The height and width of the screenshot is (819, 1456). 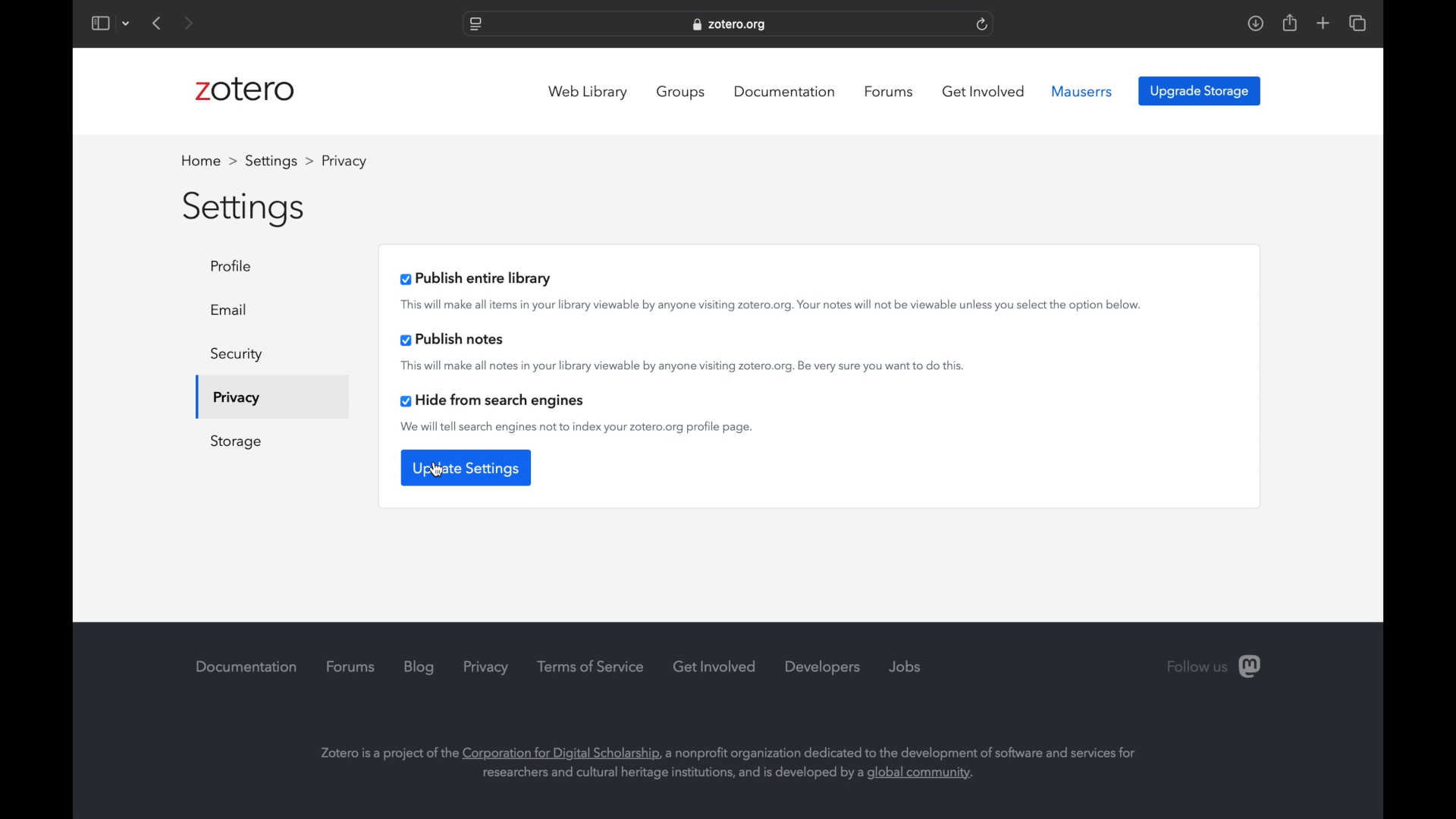 What do you see at coordinates (249, 90) in the screenshot?
I see `zotero` at bounding box center [249, 90].